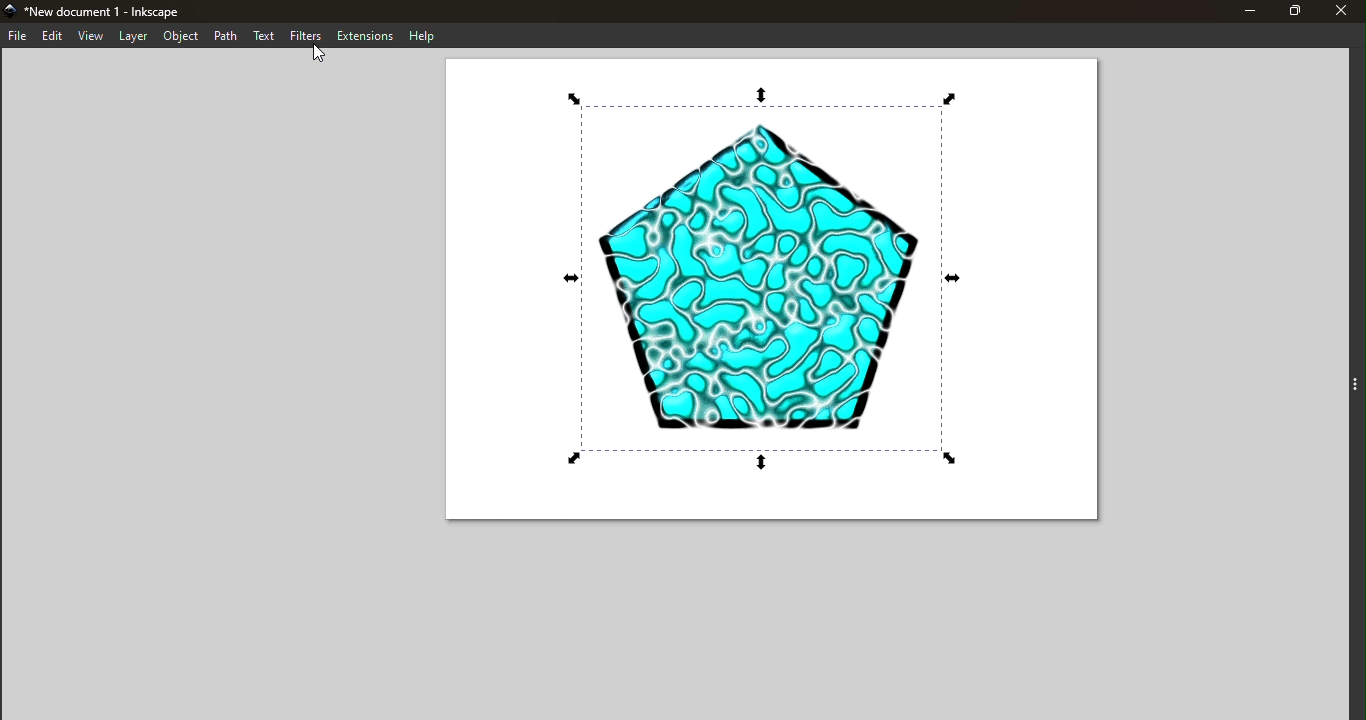 Image resolution: width=1366 pixels, height=720 pixels. Describe the element at coordinates (366, 34) in the screenshot. I see `Extensions` at that location.